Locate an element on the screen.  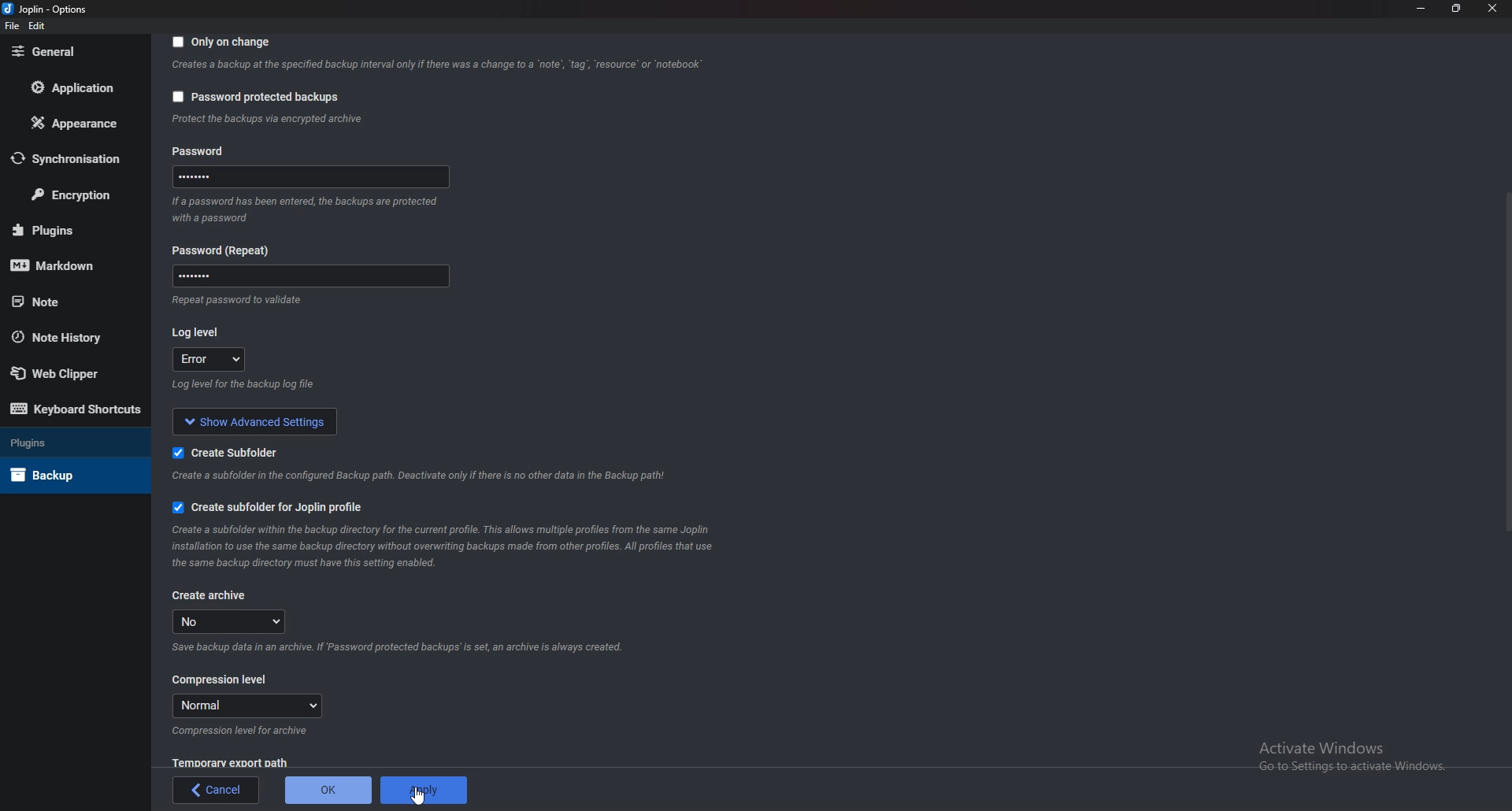
Apply is located at coordinates (423, 790).